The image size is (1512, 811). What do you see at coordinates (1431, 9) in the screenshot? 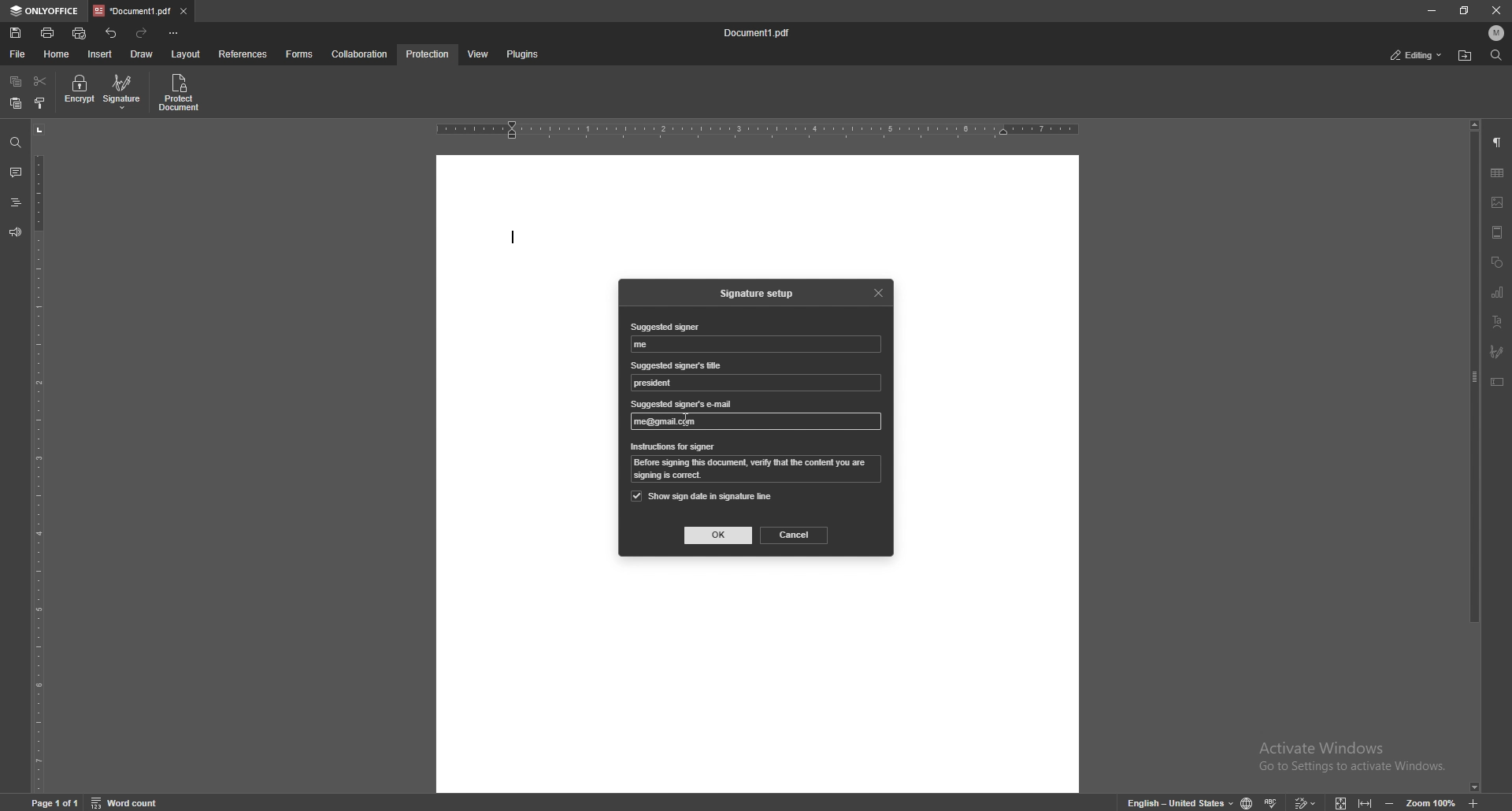
I see `minimize` at bounding box center [1431, 9].